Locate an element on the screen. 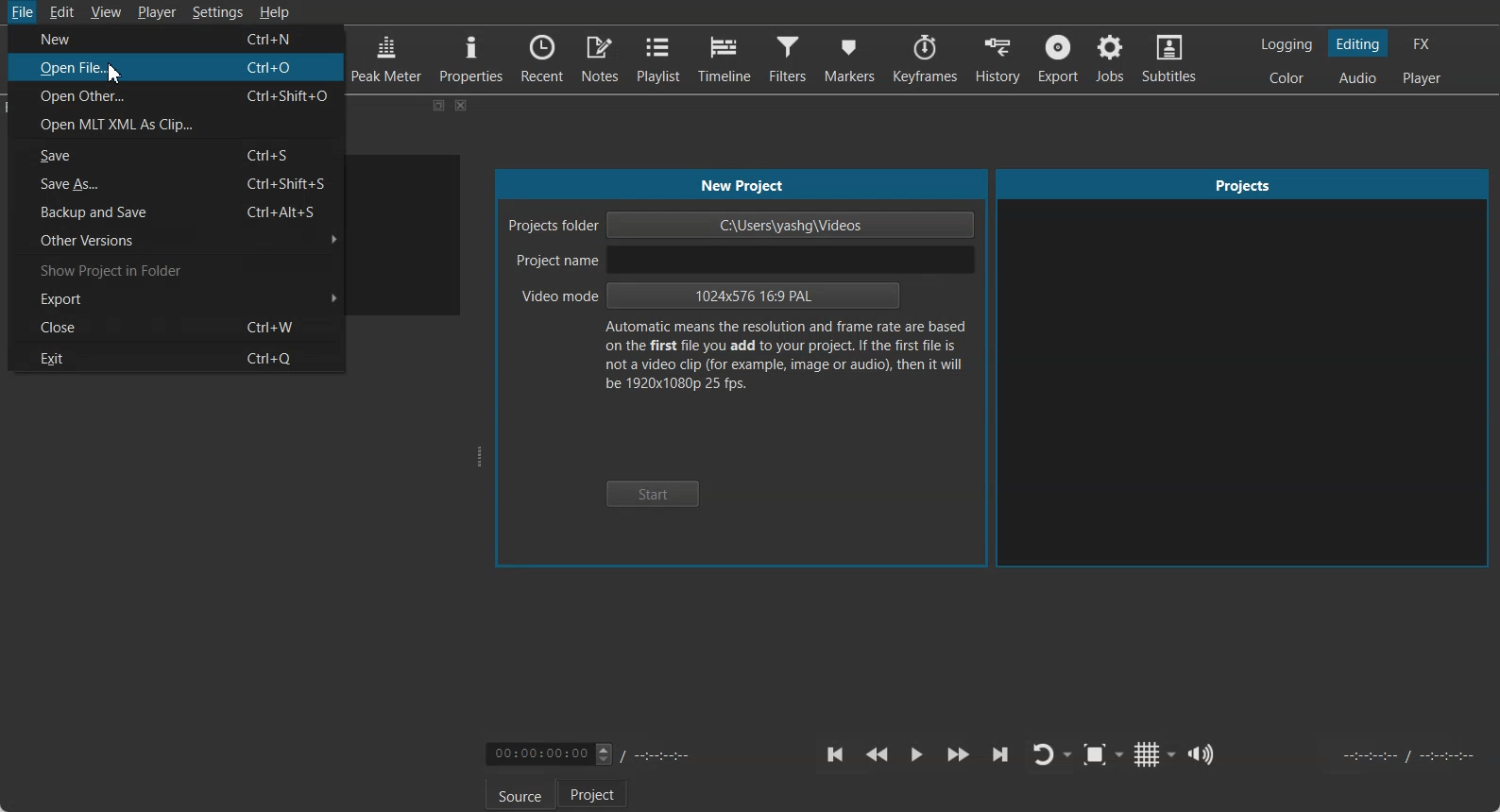 The height and width of the screenshot is (812, 1500). Video Time Adjuster is located at coordinates (549, 753).